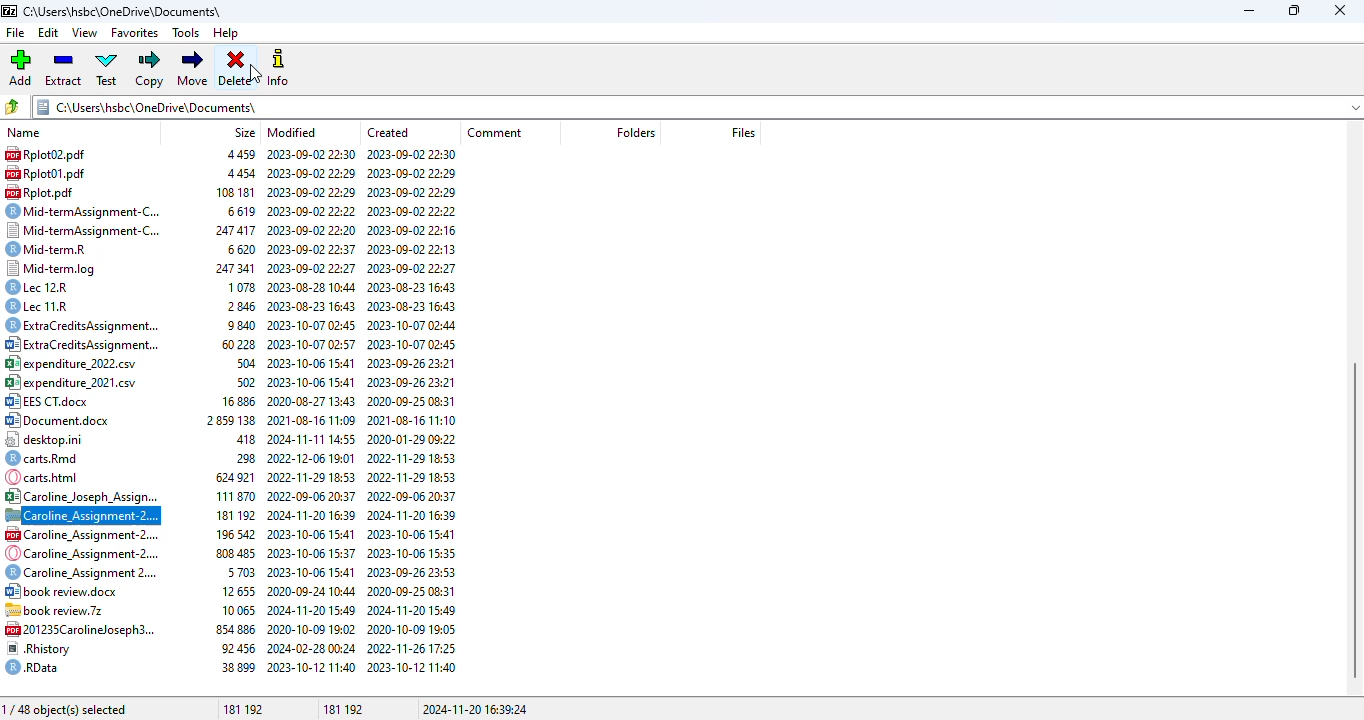  What do you see at coordinates (133, 11) in the screenshot?
I see `c\Users\hsbc\OneDrive\Documents\` at bounding box center [133, 11].